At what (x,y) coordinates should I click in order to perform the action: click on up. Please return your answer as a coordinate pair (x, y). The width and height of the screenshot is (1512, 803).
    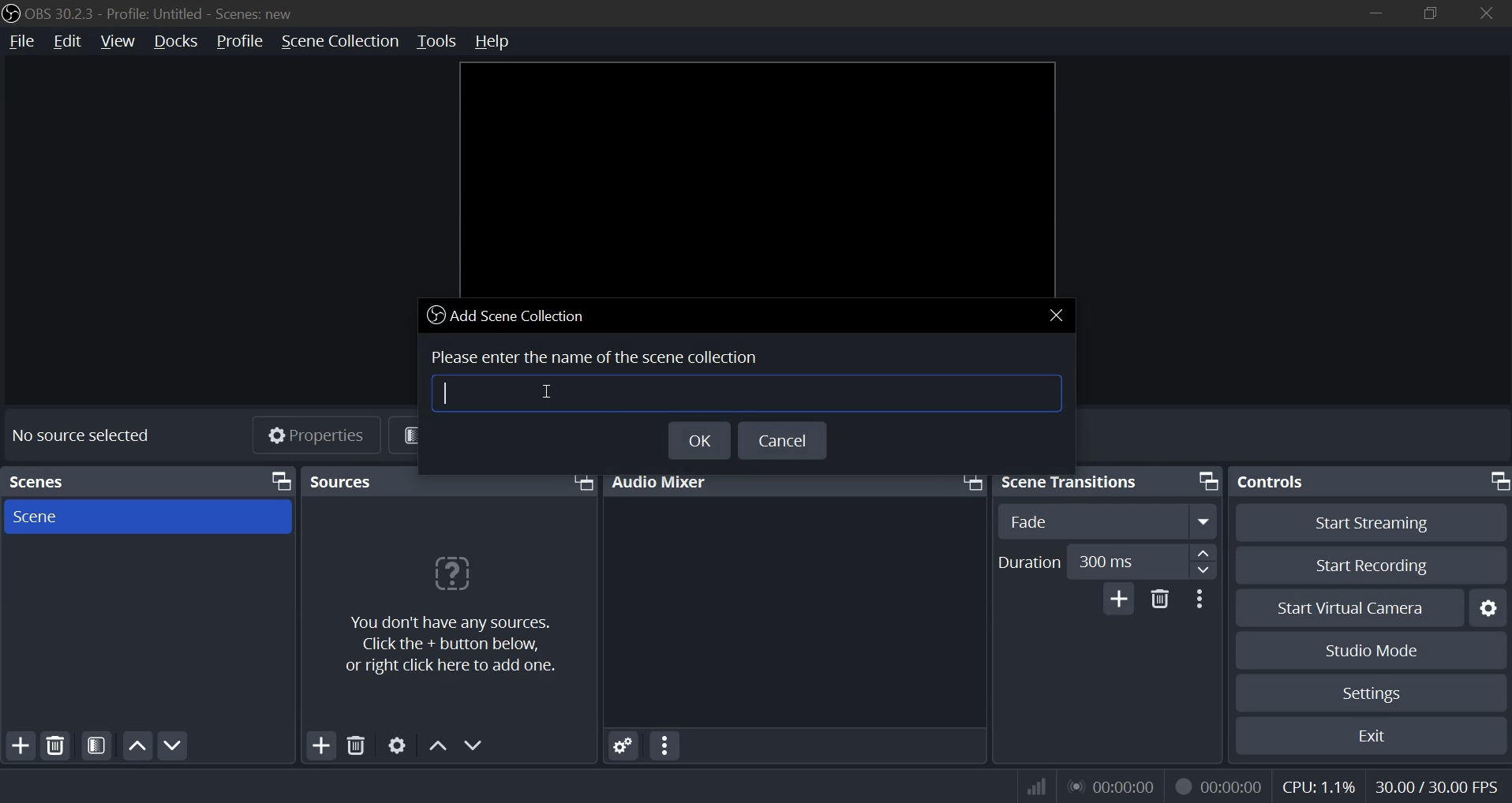
    Looking at the image, I should click on (436, 743).